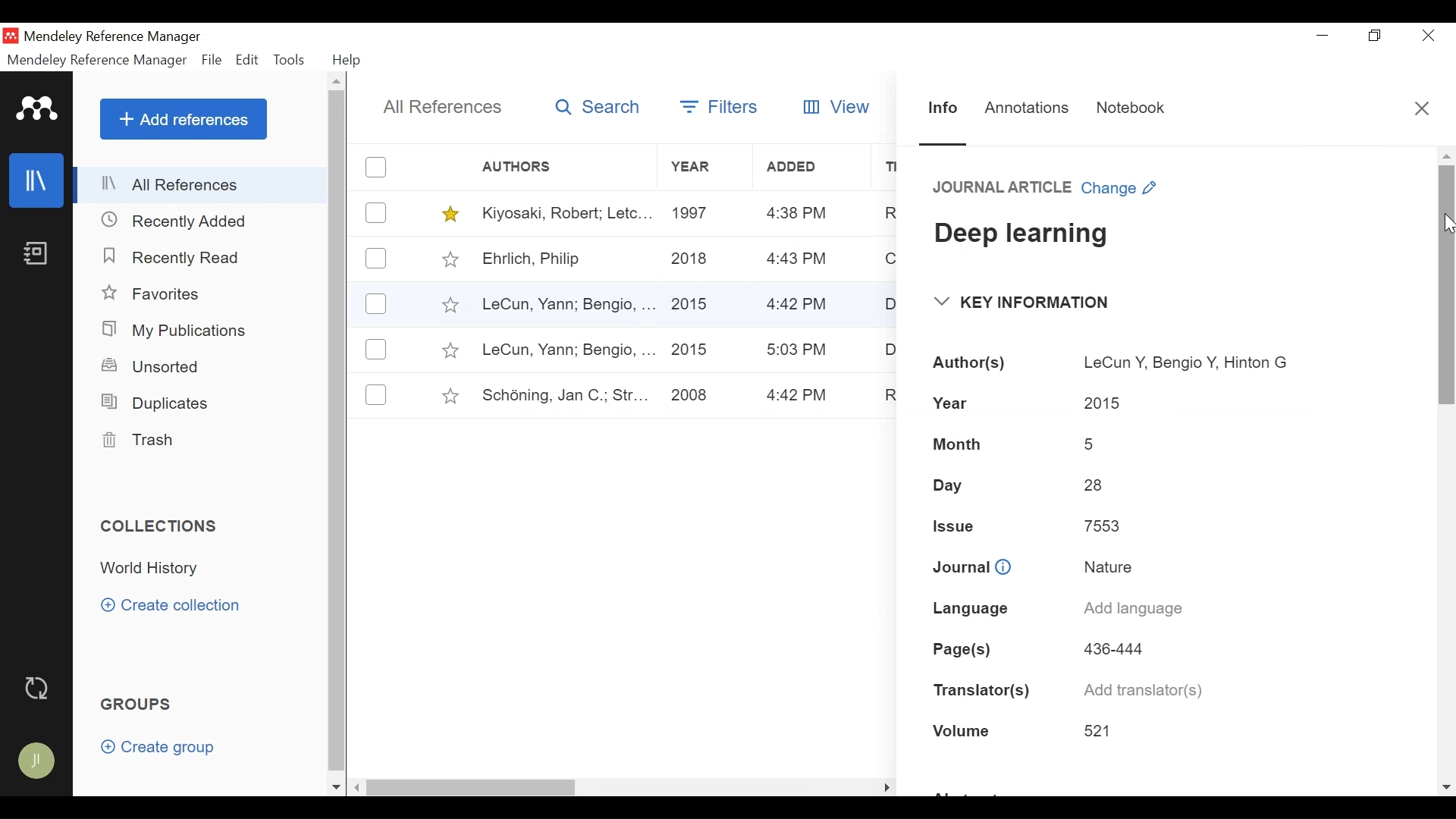 This screenshot has height=819, width=1456. Describe the element at coordinates (886, 784) in the screenshot. I see `Hide` at that location.